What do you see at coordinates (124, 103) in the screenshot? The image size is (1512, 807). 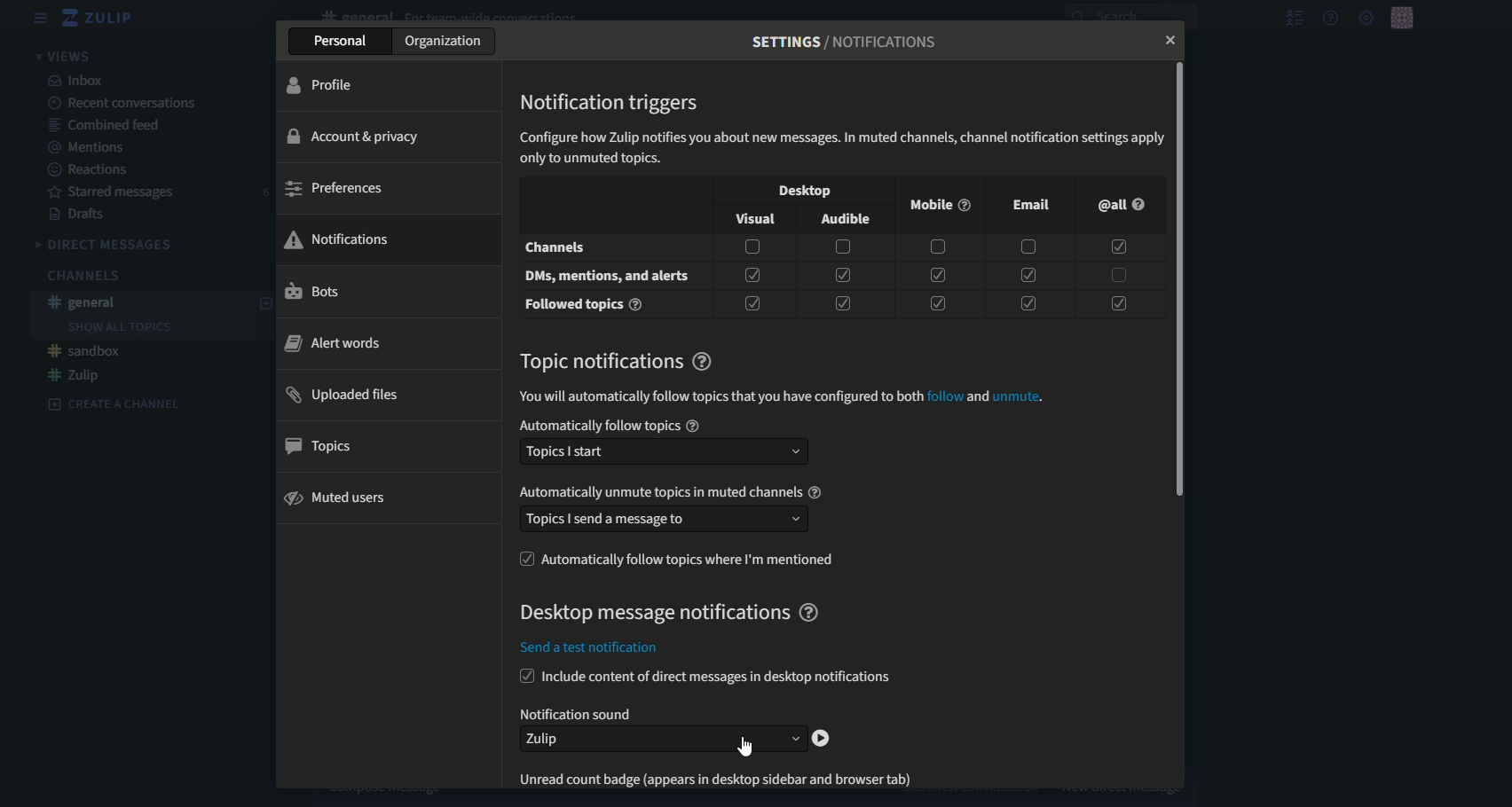 I see `recent conversations` at bounding box center [124, 103].